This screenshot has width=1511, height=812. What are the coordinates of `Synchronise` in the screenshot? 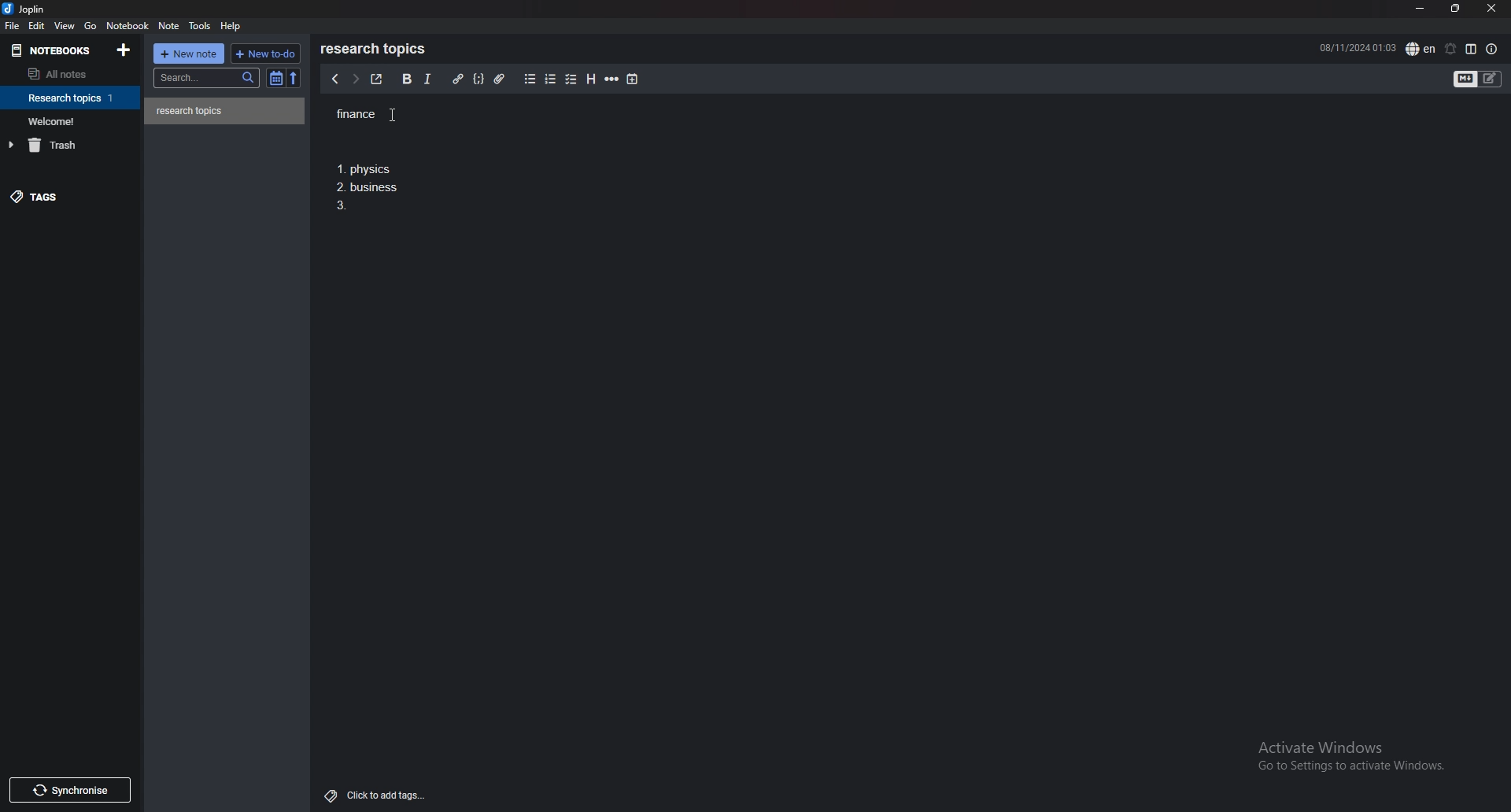 It's located at (73, 789).